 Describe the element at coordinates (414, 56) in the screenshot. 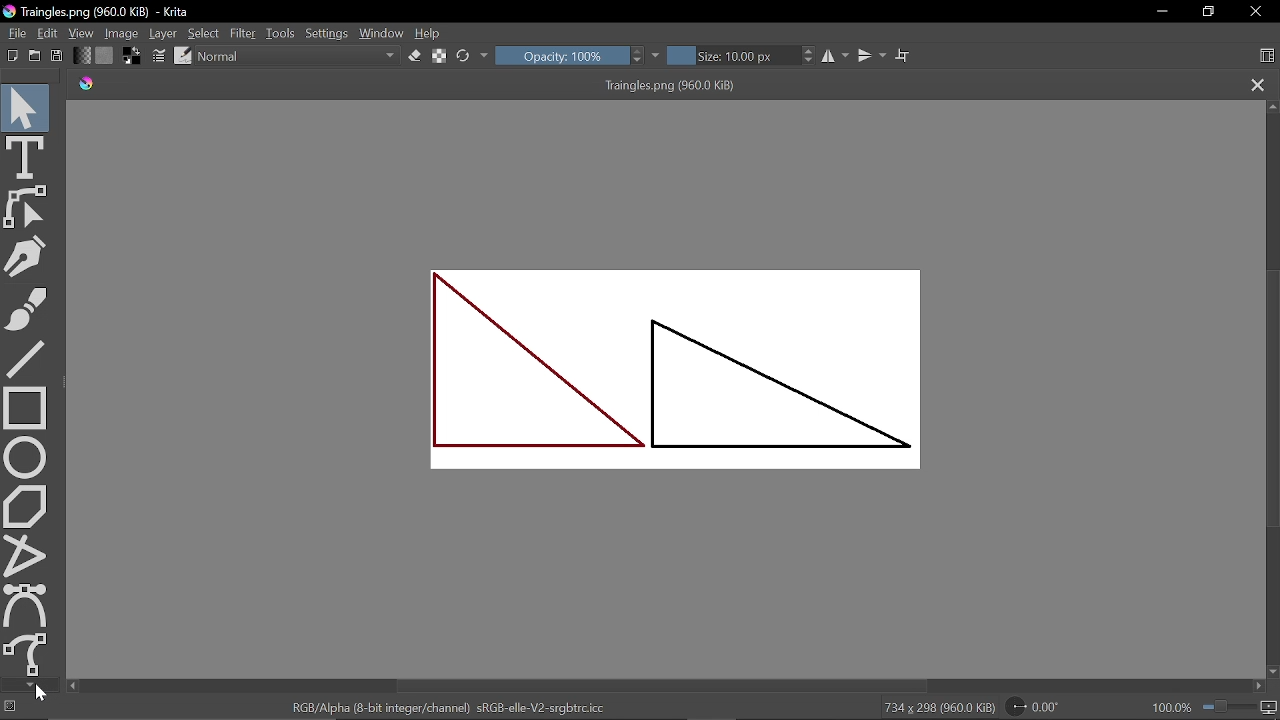

I see `Eraser` at that location.